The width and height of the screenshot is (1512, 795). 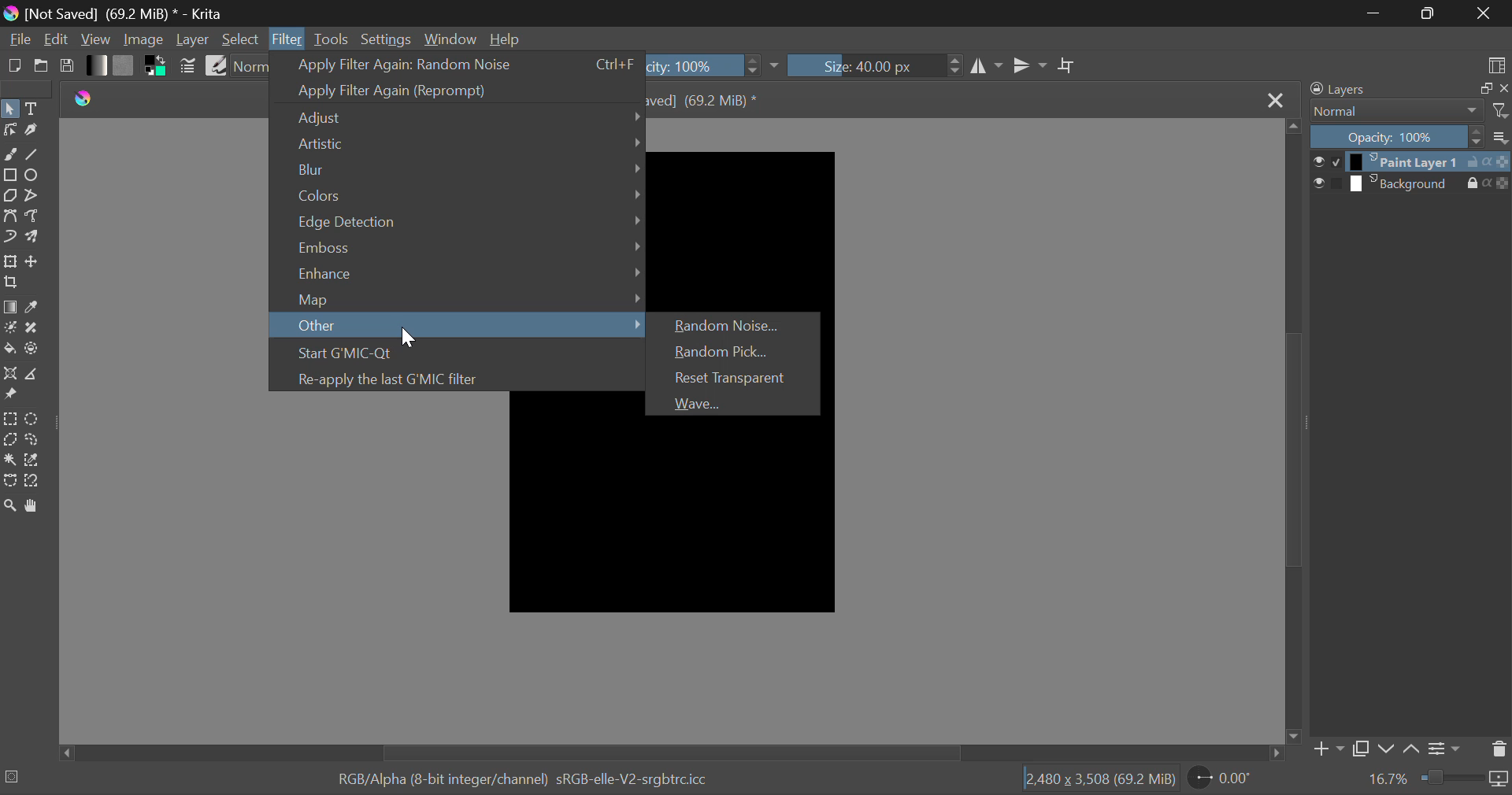 I want to click on Blur, so click(x=460, y=166).